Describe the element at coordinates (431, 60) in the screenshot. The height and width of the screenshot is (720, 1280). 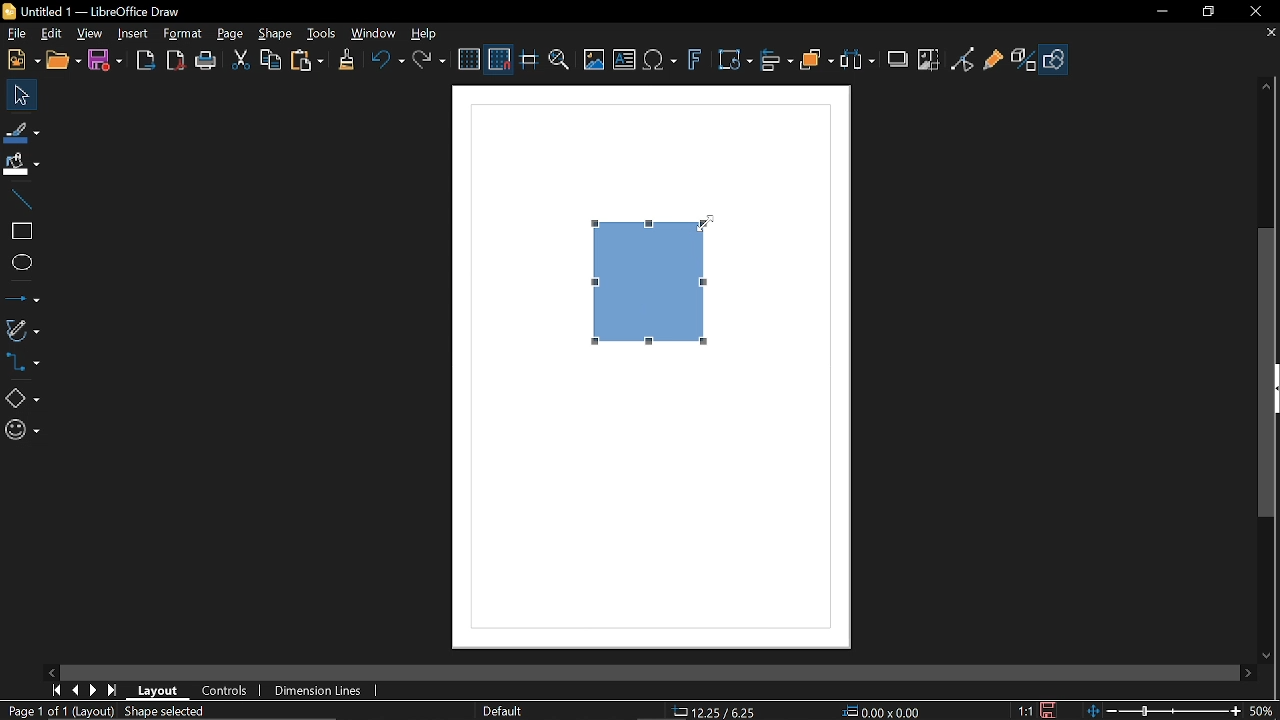
I see `Redo` at that location.